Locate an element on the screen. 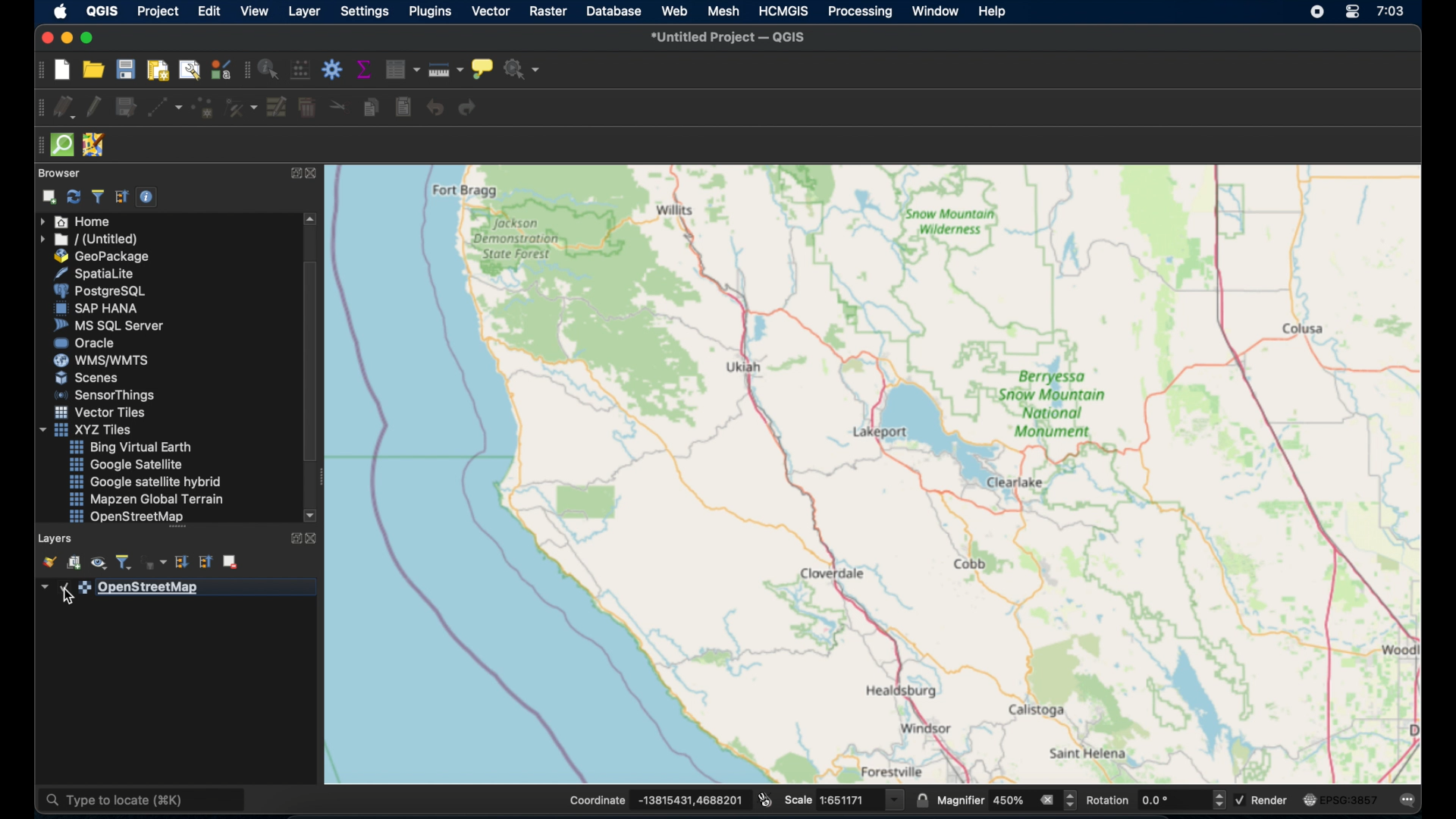 This screenshot has width=1456, height=819. spatiallite is located at coordinates (97, 273).